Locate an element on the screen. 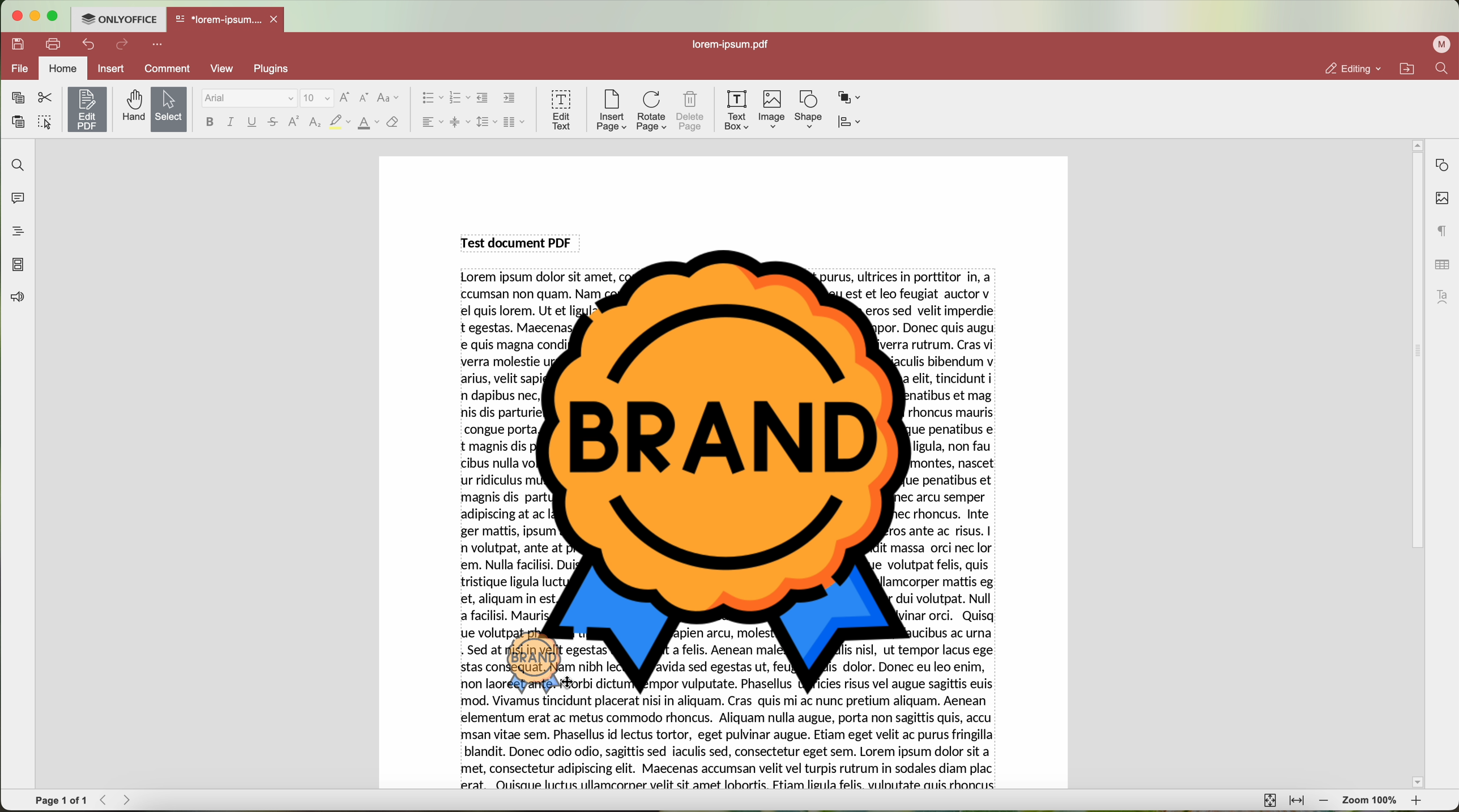 The height and width of the screenshot is (812, 1459). redo is located at coordinates (122, 45).